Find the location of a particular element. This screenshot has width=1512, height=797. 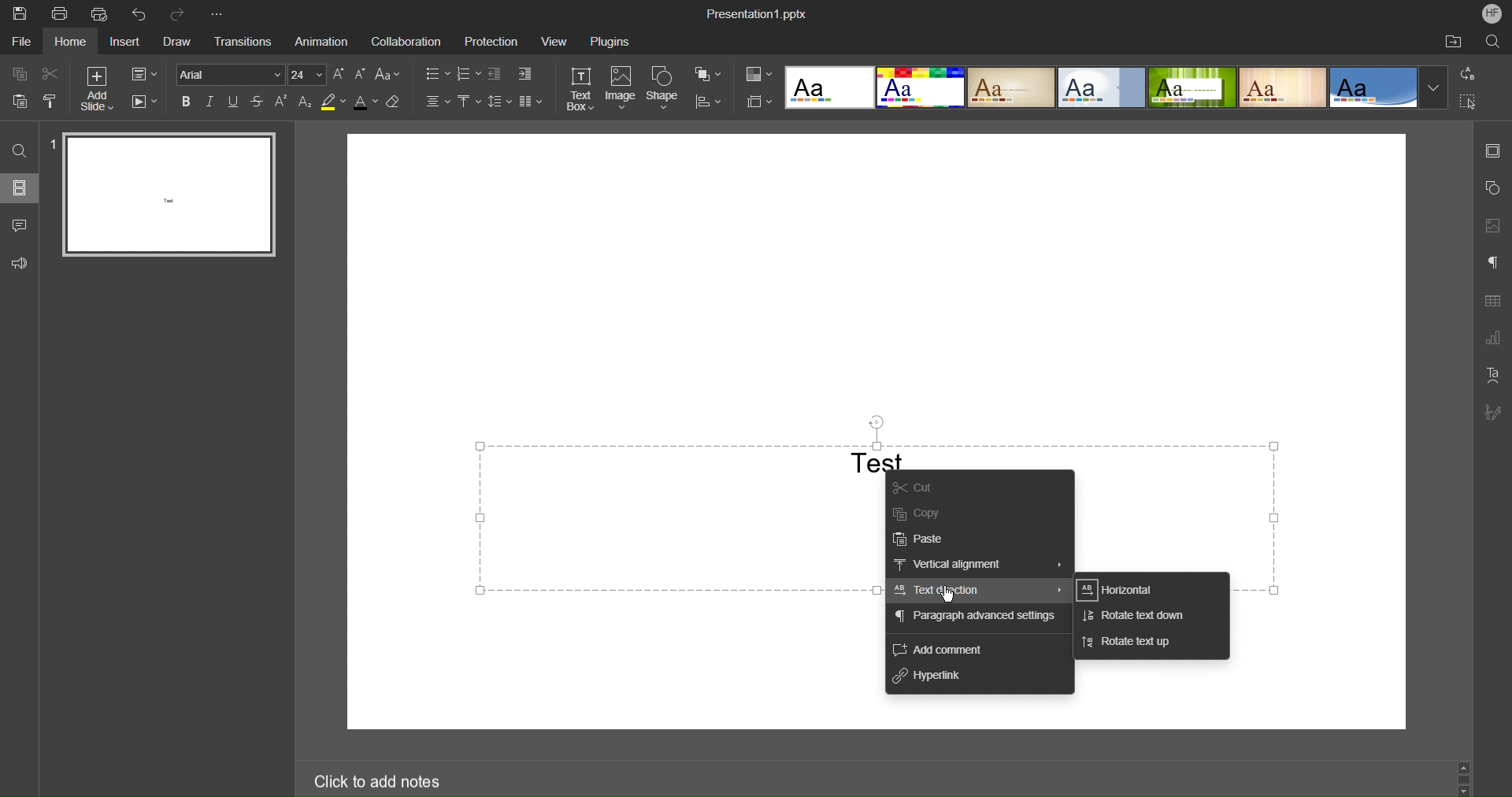

Image Settings is located at coordinates (1492, 226).